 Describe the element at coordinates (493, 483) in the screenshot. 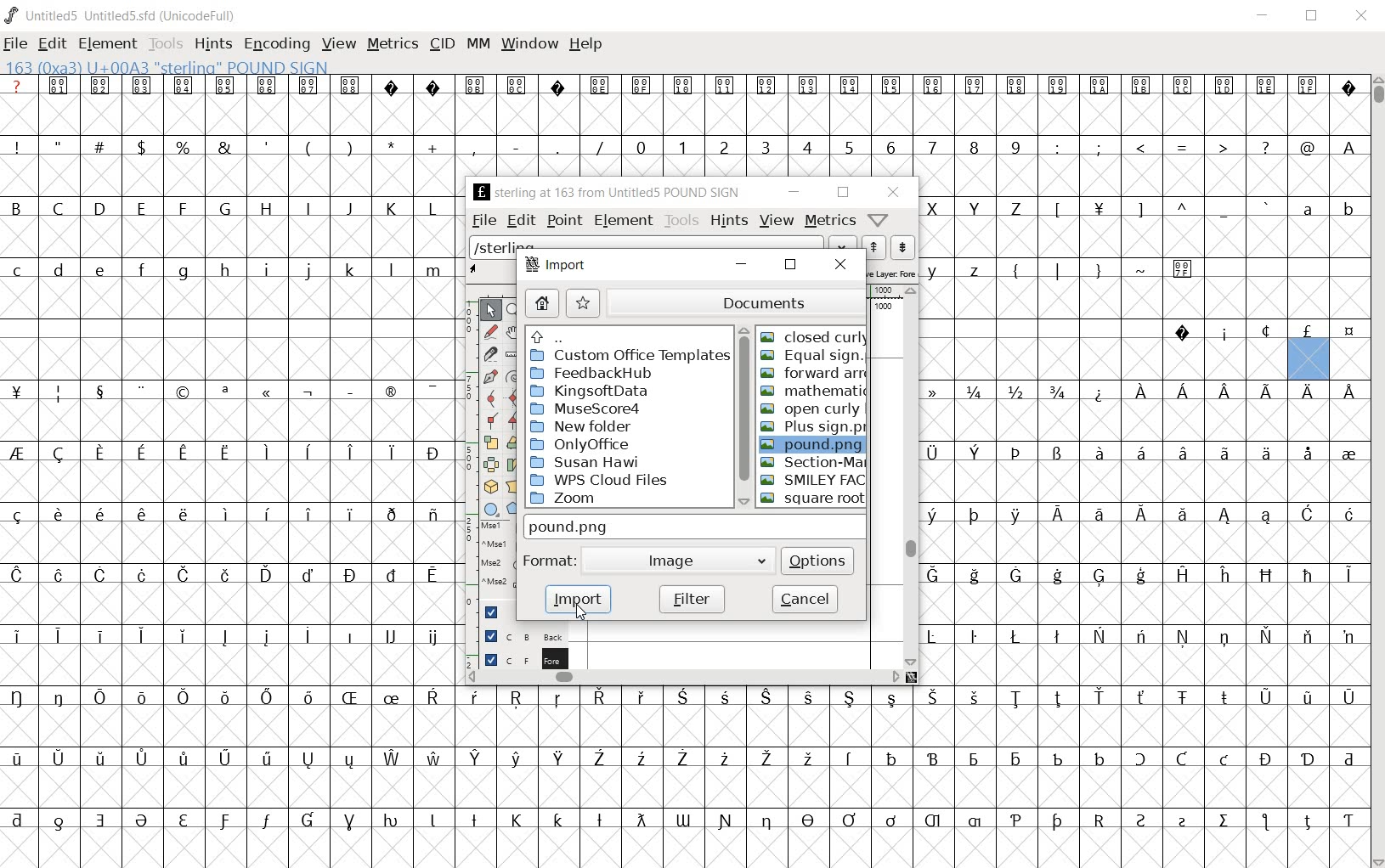

I see `3D rotate` at that location.